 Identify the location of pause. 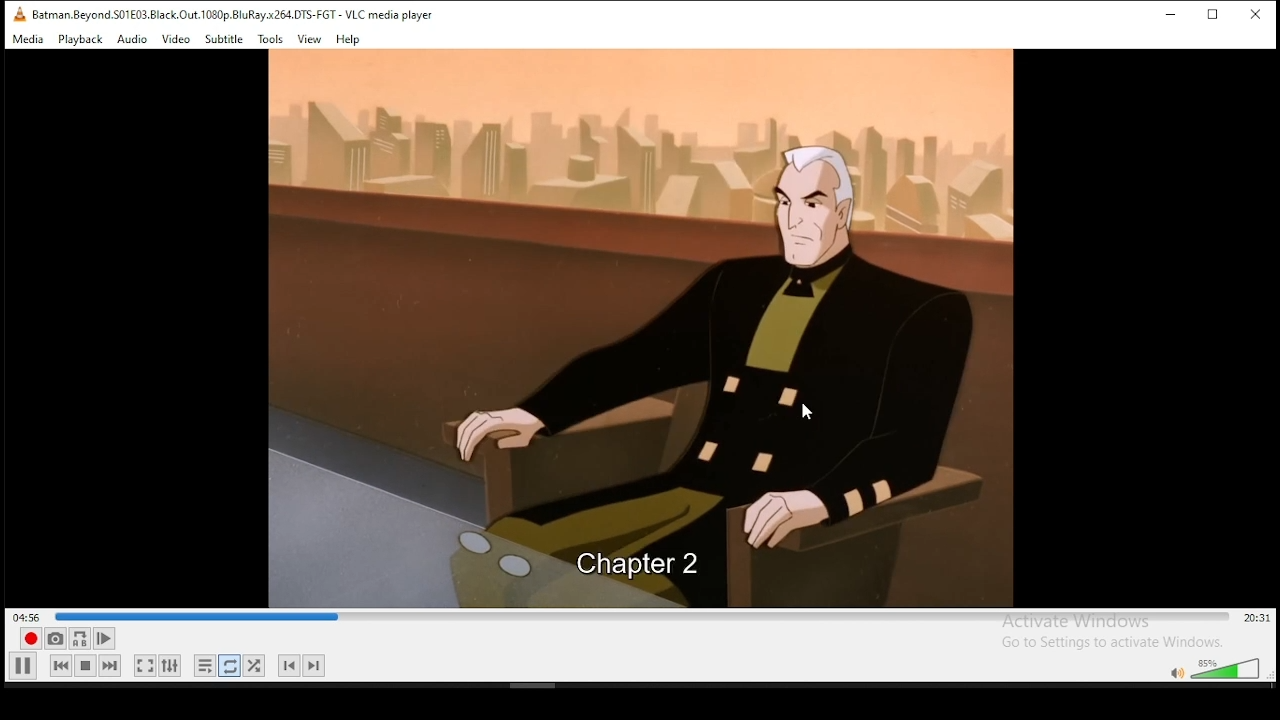
(85, 668).